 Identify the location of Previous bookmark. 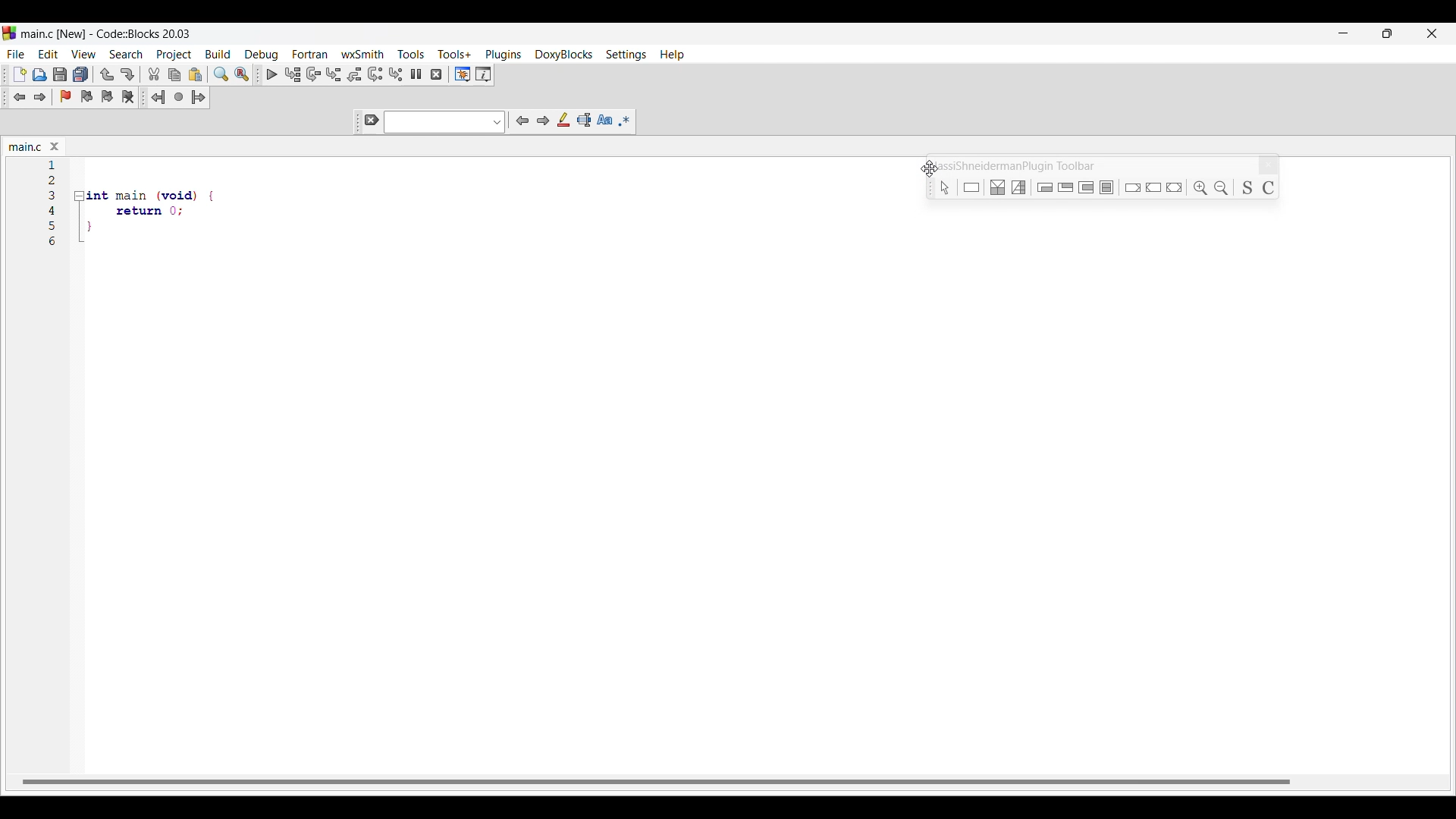
(87, 96).